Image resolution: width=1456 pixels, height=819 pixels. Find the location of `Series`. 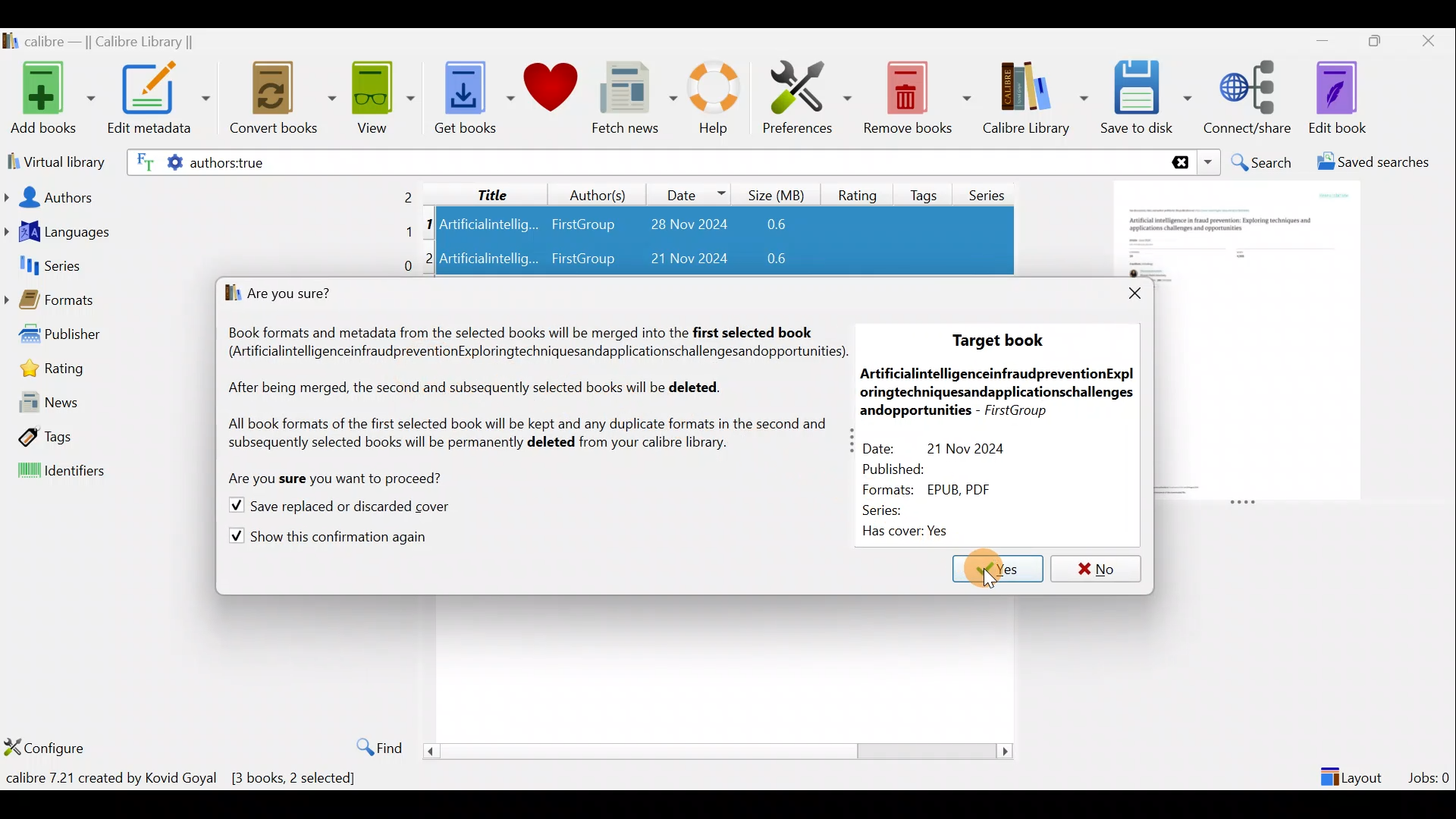

Series is located at coordinates (992, 190).